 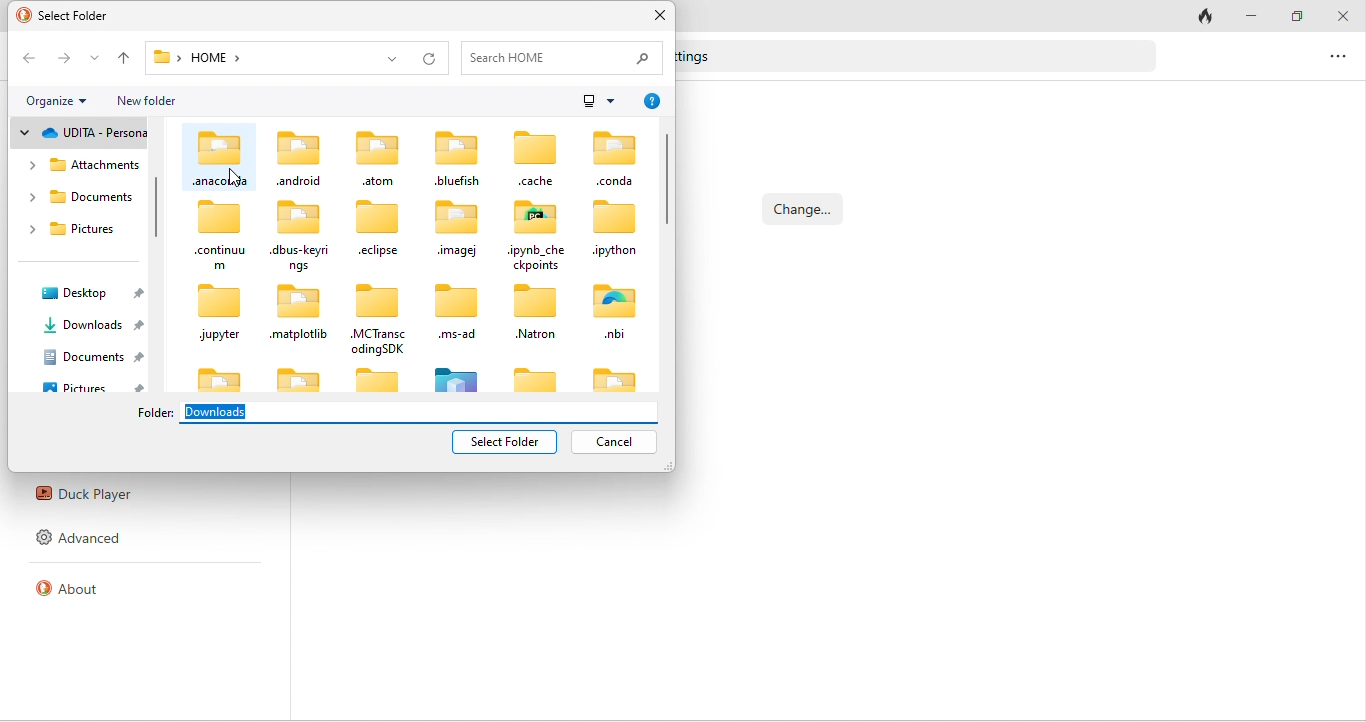 I want to click on forward, so click(x=63, y=59).